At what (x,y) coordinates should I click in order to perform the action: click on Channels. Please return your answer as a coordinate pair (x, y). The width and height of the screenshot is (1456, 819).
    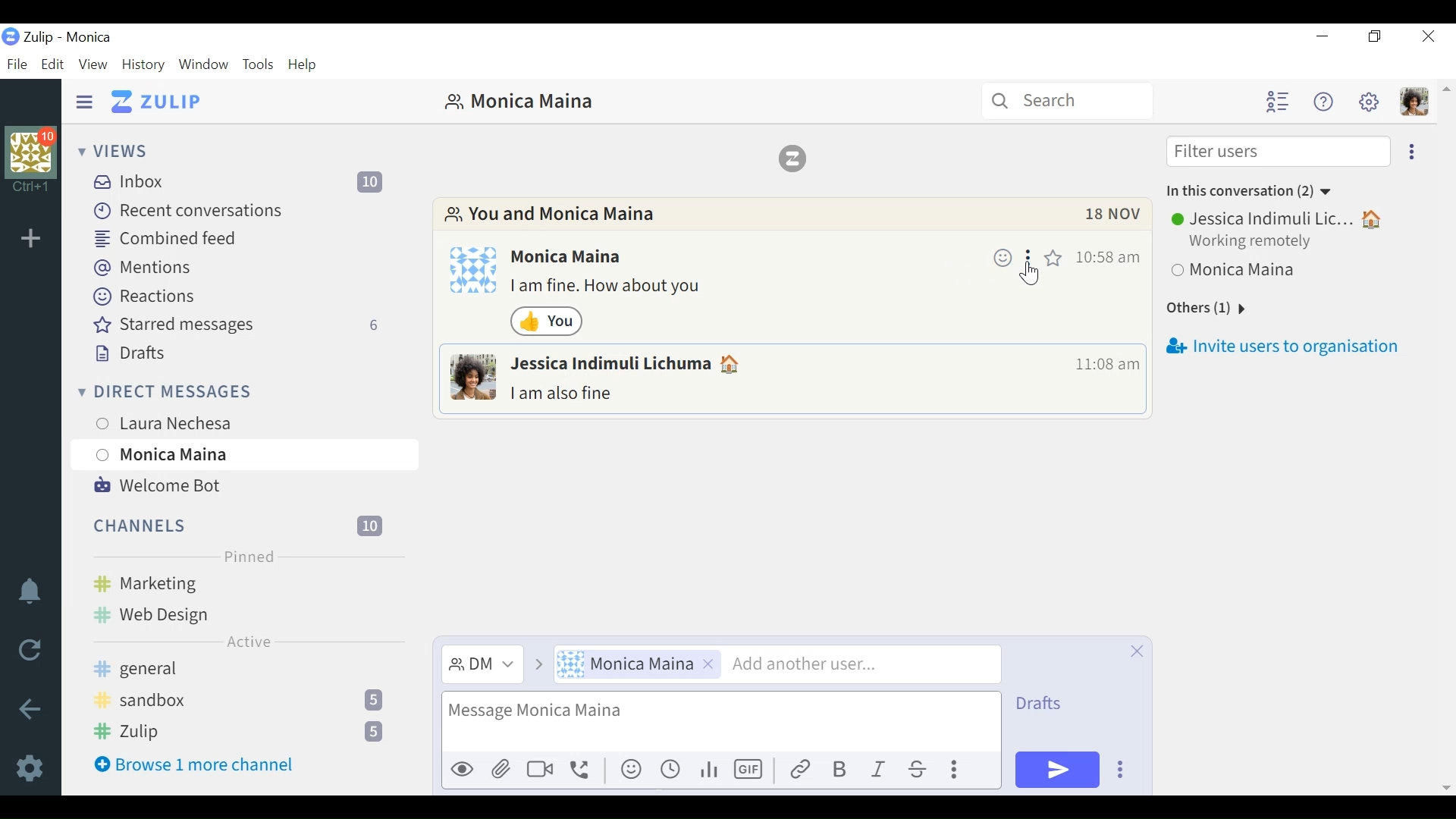
    Looking at the image, I should click on (240, 524).